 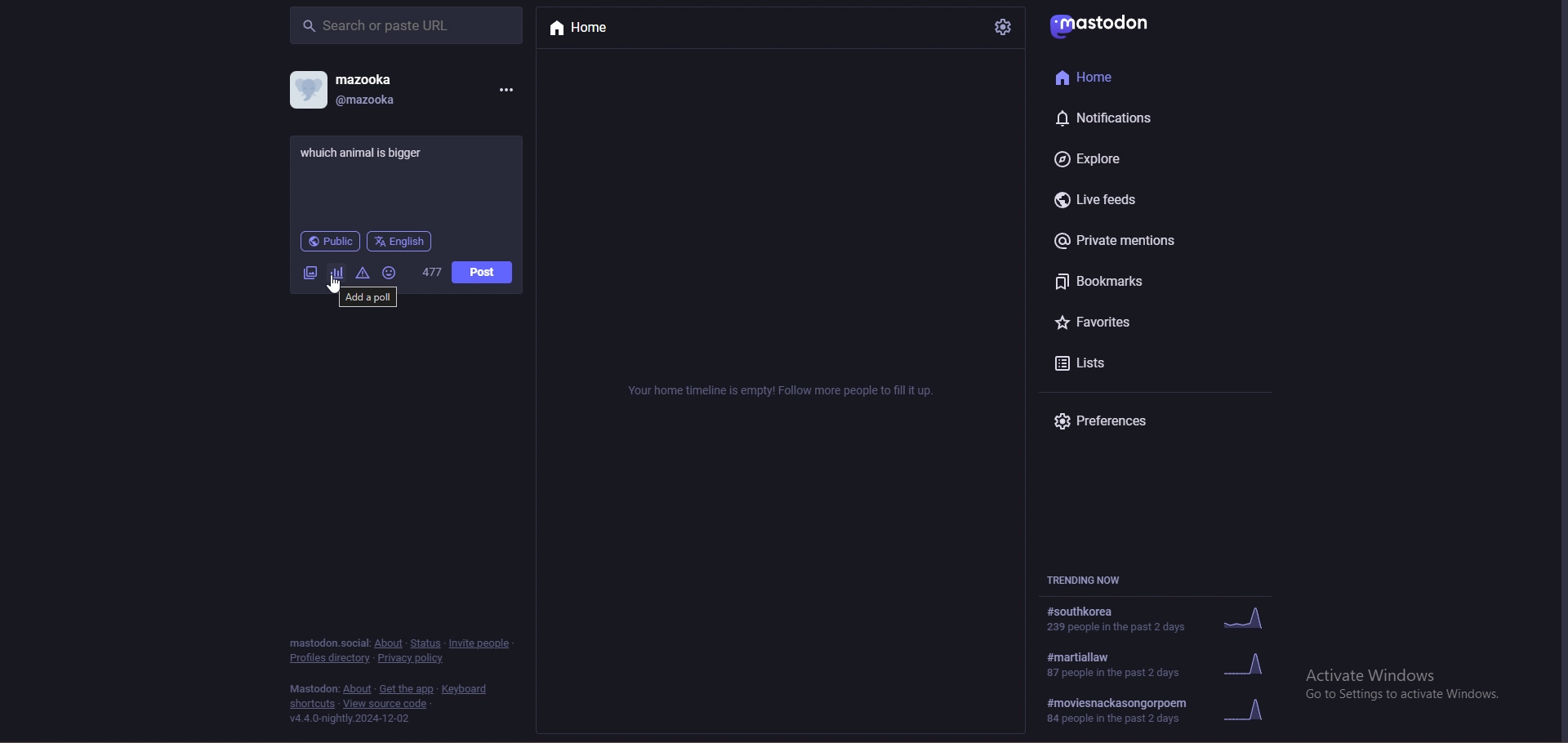 I want to click on cursor, so click(x=336, y=285).